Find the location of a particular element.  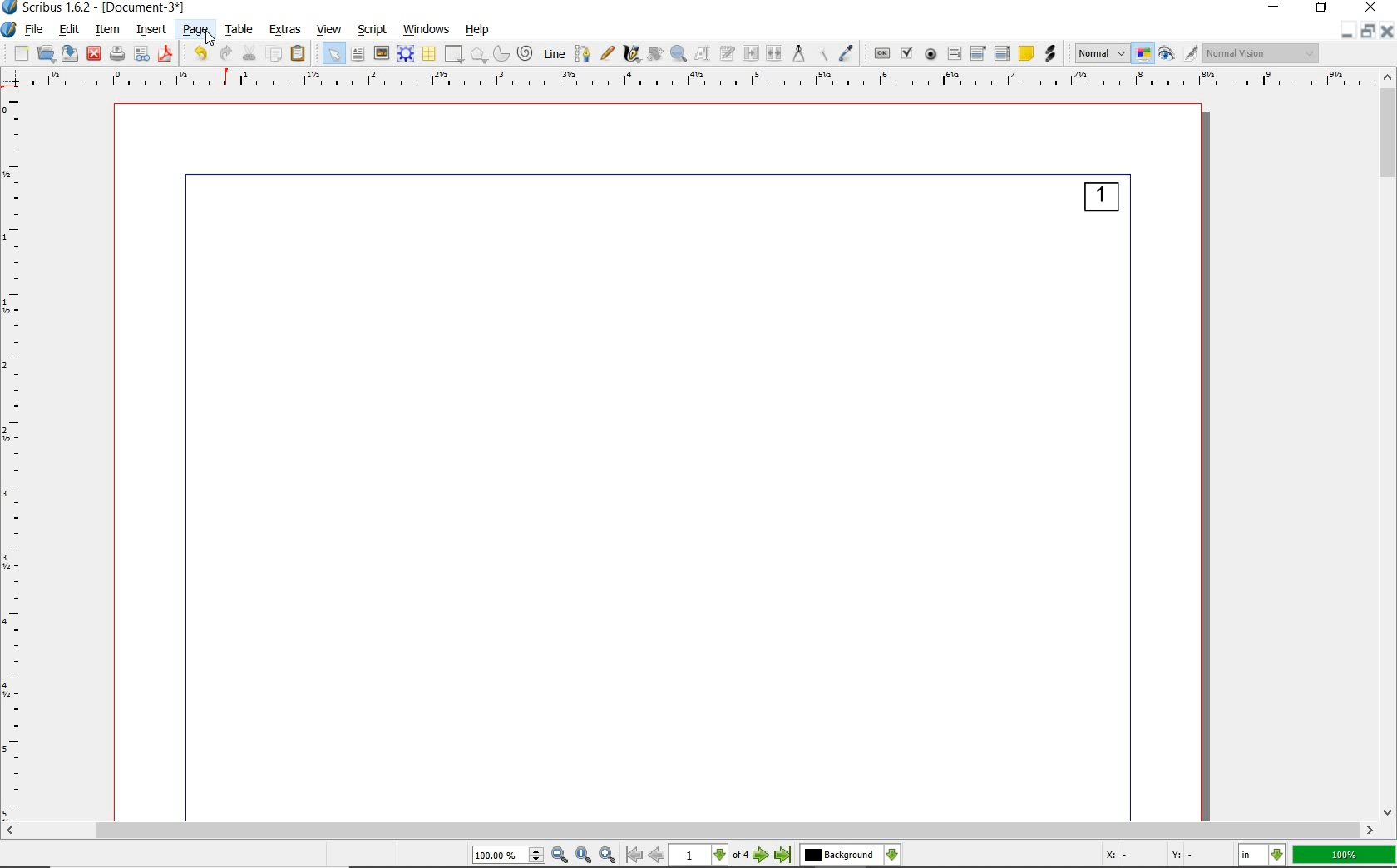

scrollbar is located at coordinates (1388, 446).